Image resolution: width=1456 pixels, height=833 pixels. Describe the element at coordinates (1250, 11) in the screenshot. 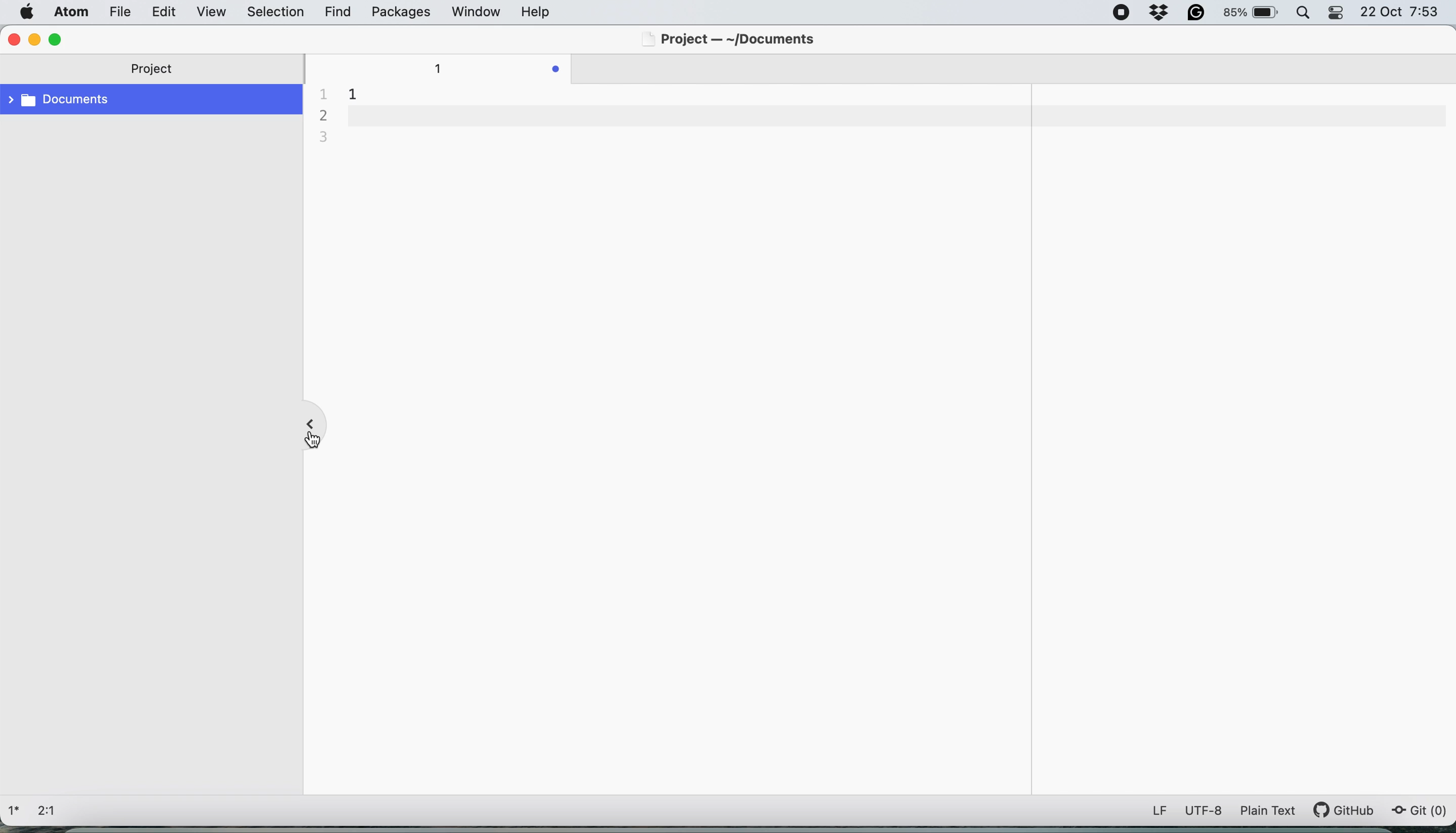

I see `battery` at that location.